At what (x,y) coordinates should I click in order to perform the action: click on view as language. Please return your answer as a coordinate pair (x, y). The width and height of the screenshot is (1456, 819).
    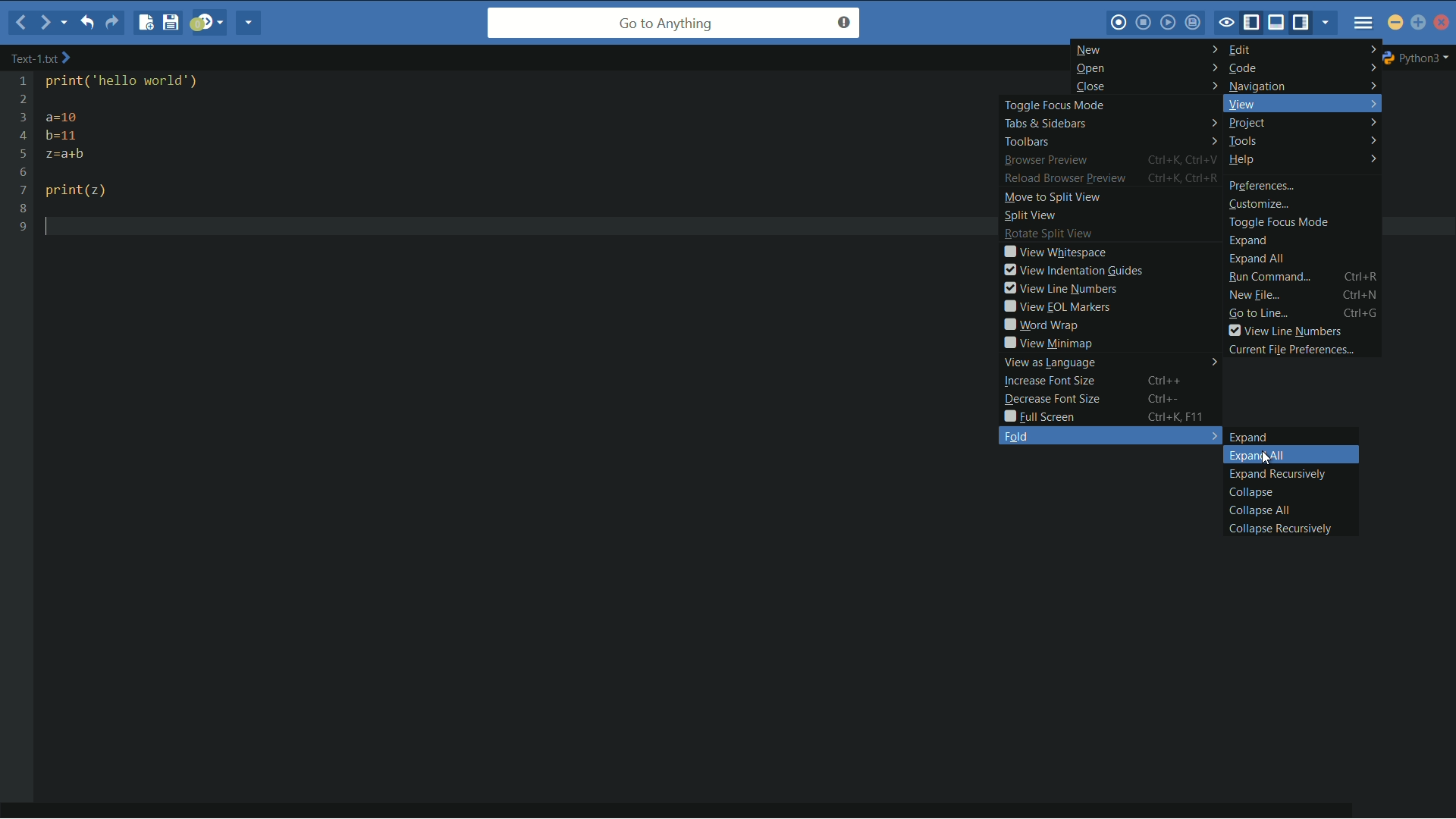
    Looking at the image, I should click on (1107, 362).